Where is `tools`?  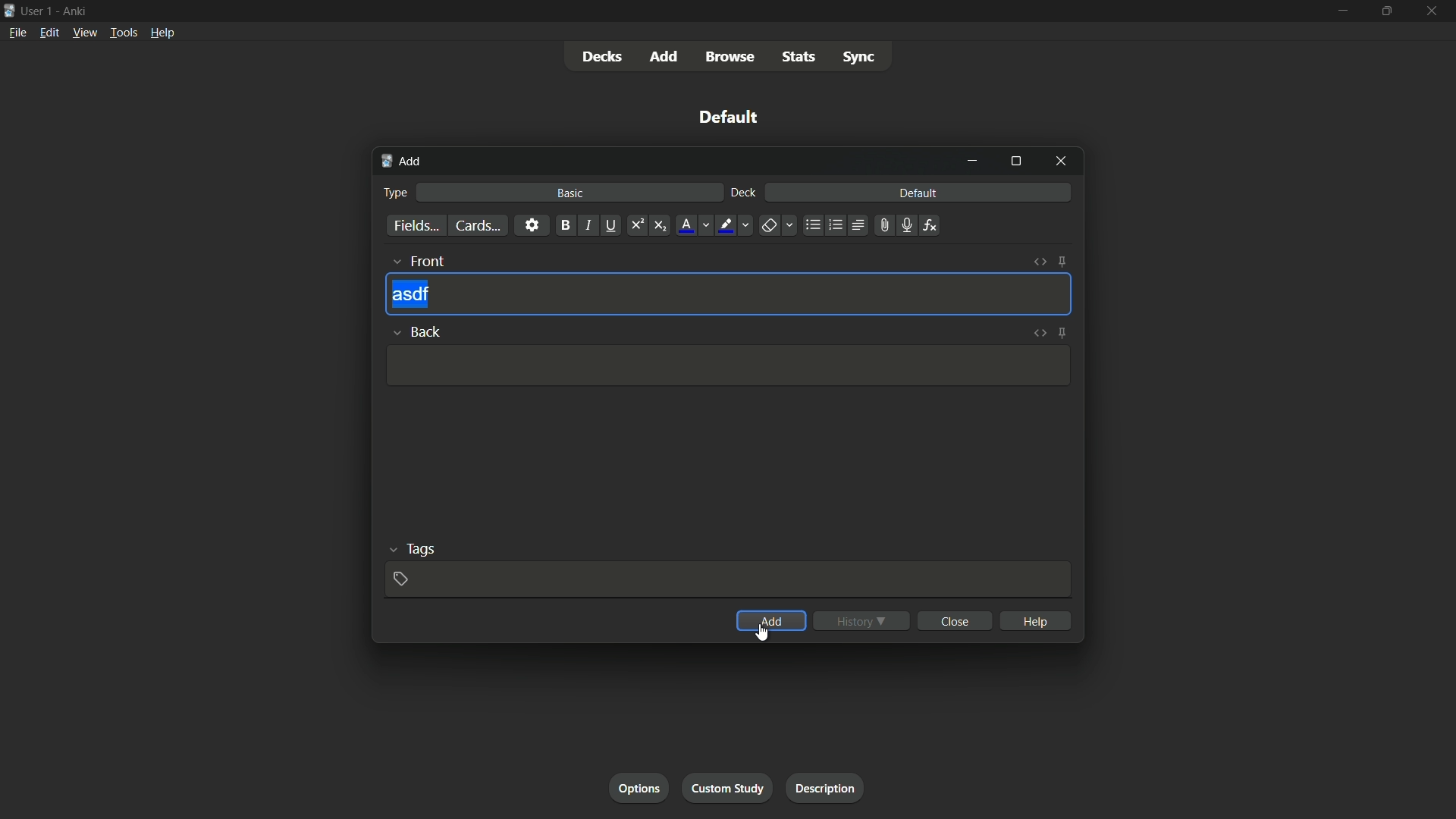 tools is located at coordinates (122, 34).